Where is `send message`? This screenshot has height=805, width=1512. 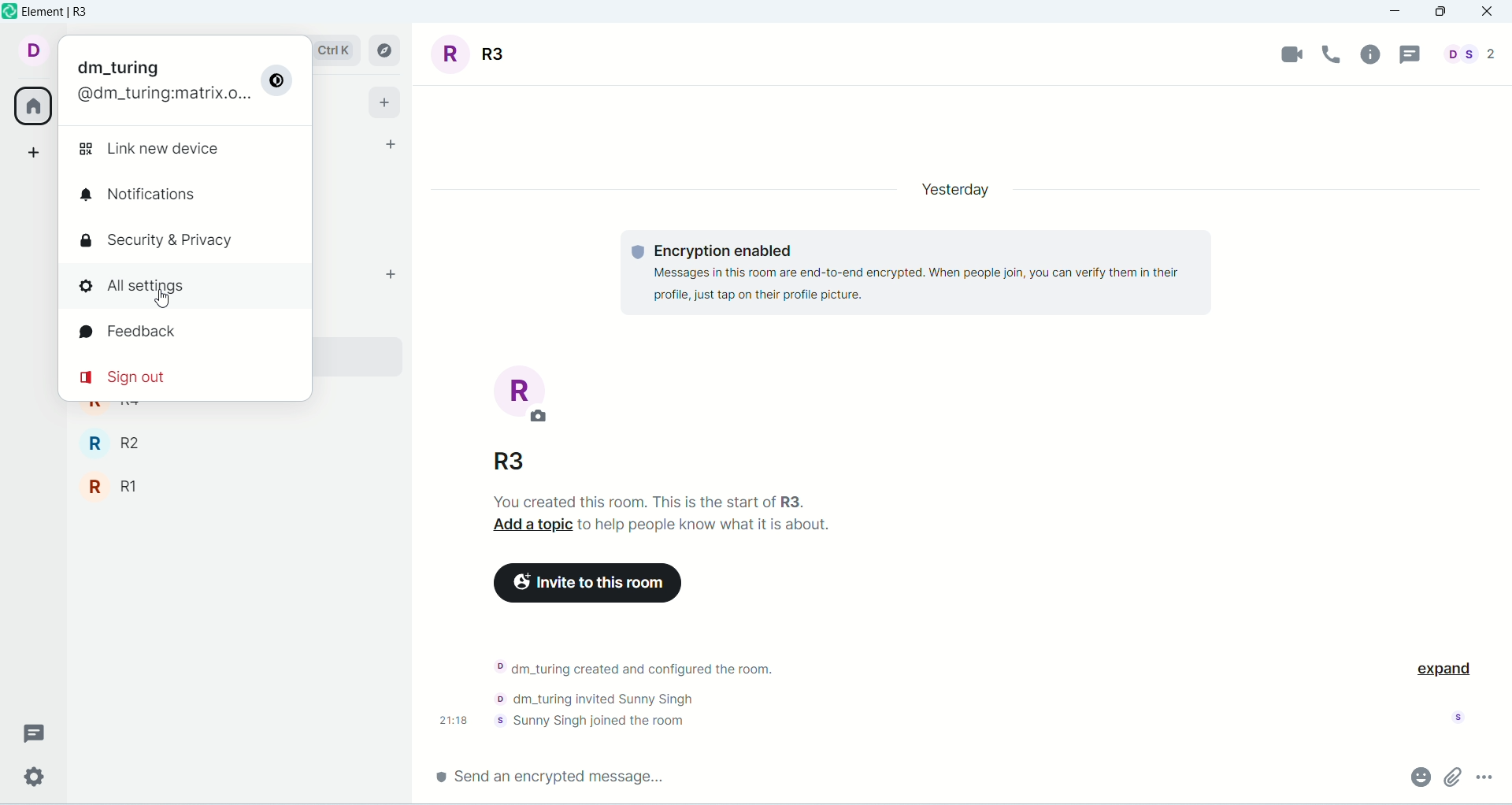 send message is located at coordinates (556, 774).